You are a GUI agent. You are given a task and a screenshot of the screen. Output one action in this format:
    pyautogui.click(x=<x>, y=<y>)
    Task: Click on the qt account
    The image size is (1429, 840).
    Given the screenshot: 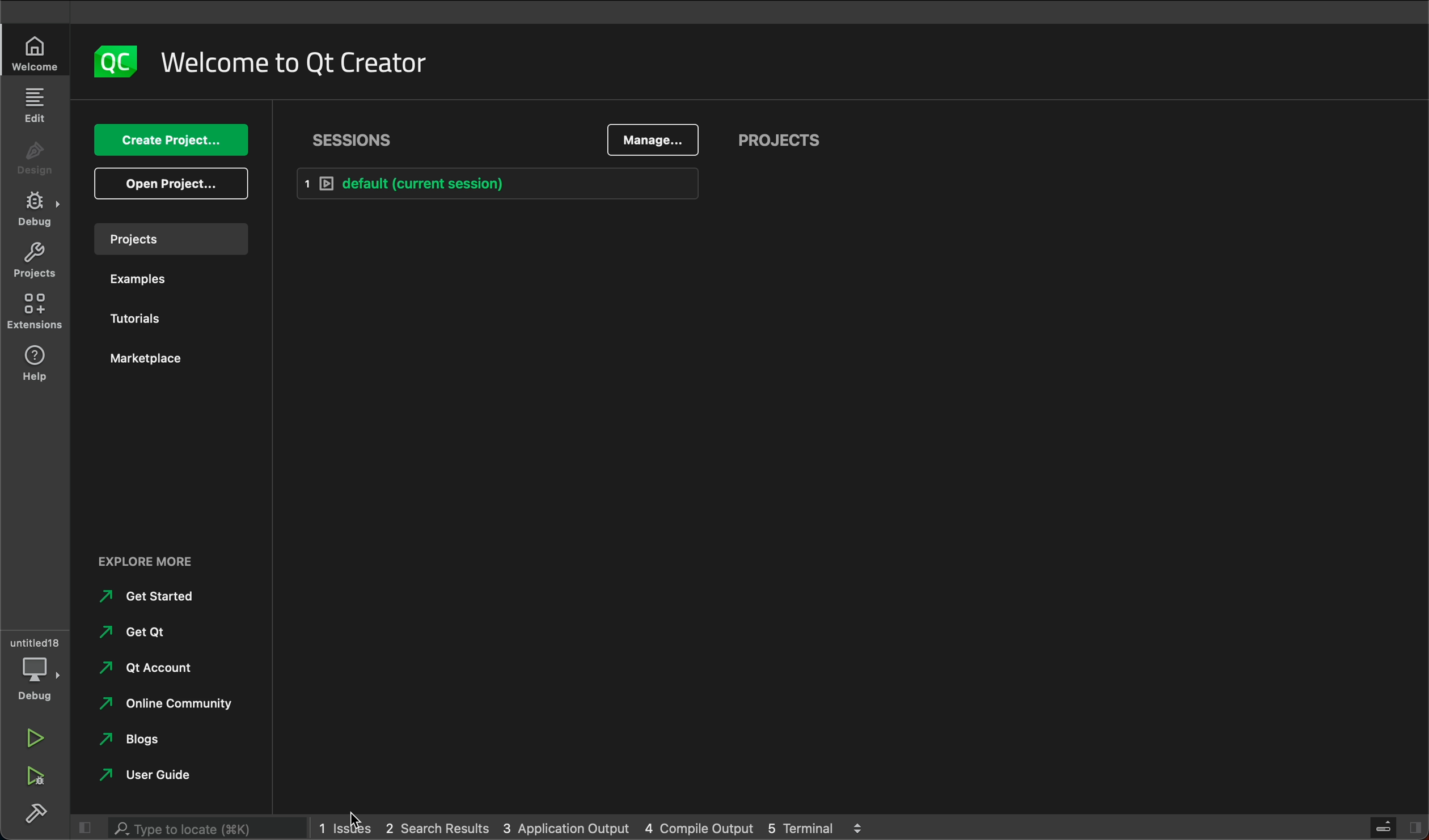 What is the action you would take?
    pyautogui.click(x=148, y=669)
    